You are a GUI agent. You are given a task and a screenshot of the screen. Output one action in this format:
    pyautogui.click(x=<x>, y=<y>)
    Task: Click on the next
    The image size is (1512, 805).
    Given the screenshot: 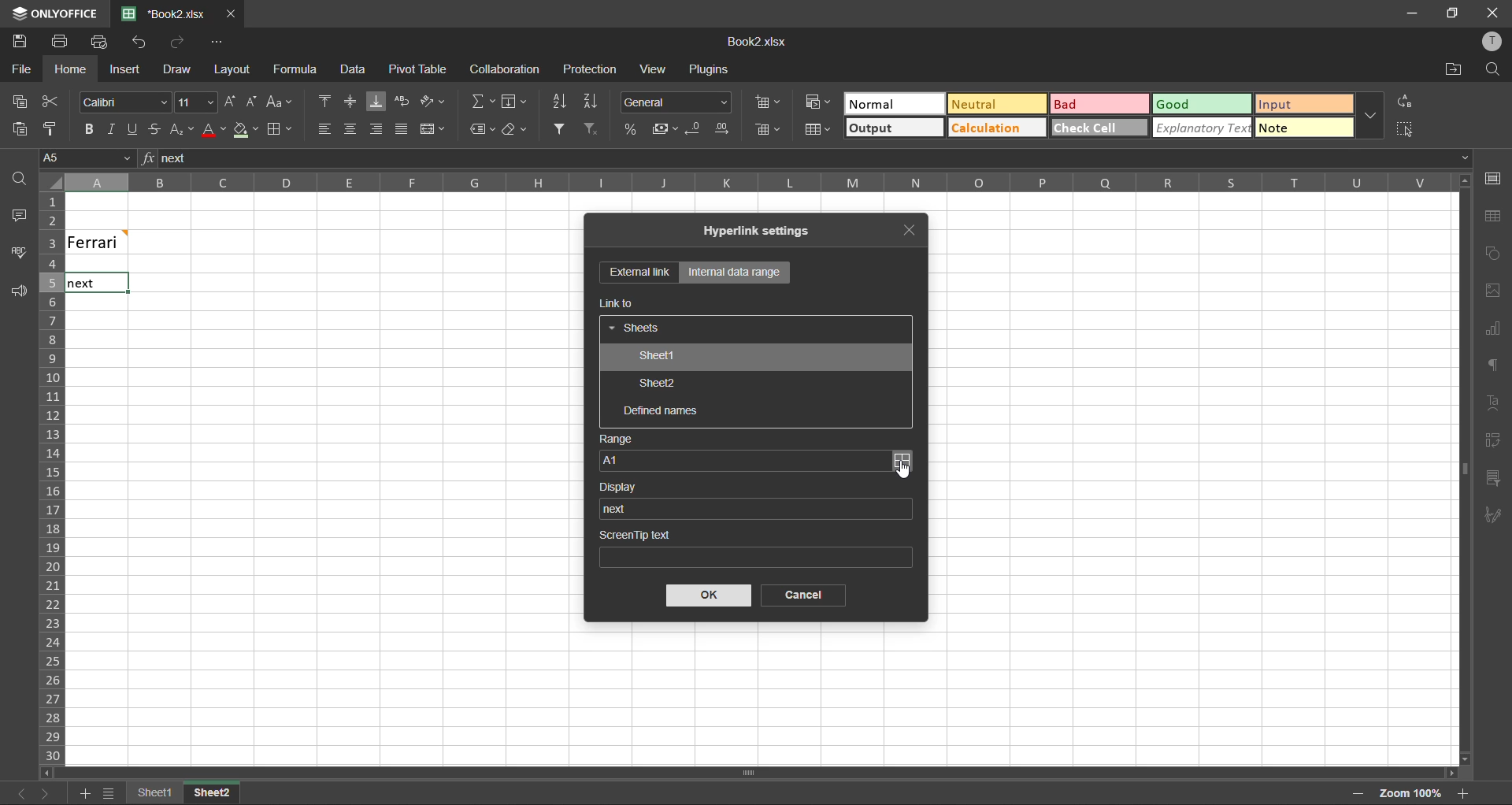 What is the action you would take?
    pyautogui.click(x=619, y=508)
    